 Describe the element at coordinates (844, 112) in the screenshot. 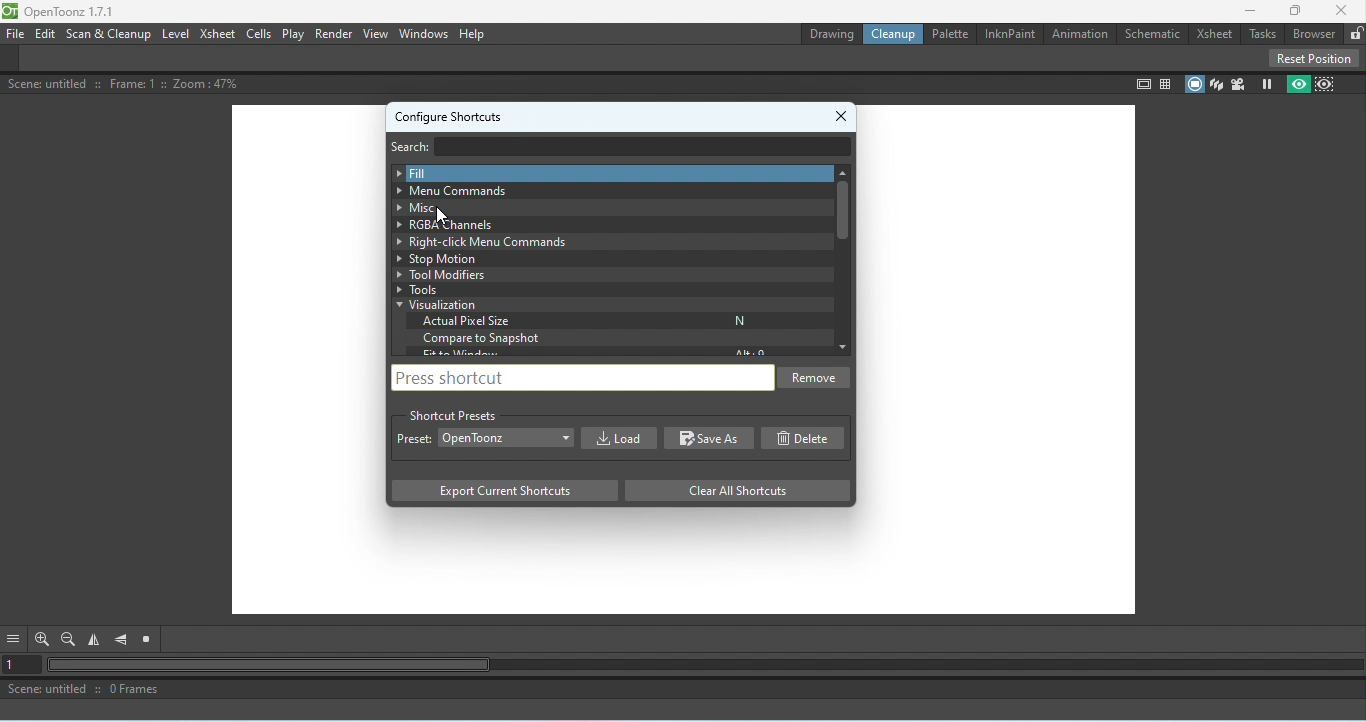

I see `Close` at that location.